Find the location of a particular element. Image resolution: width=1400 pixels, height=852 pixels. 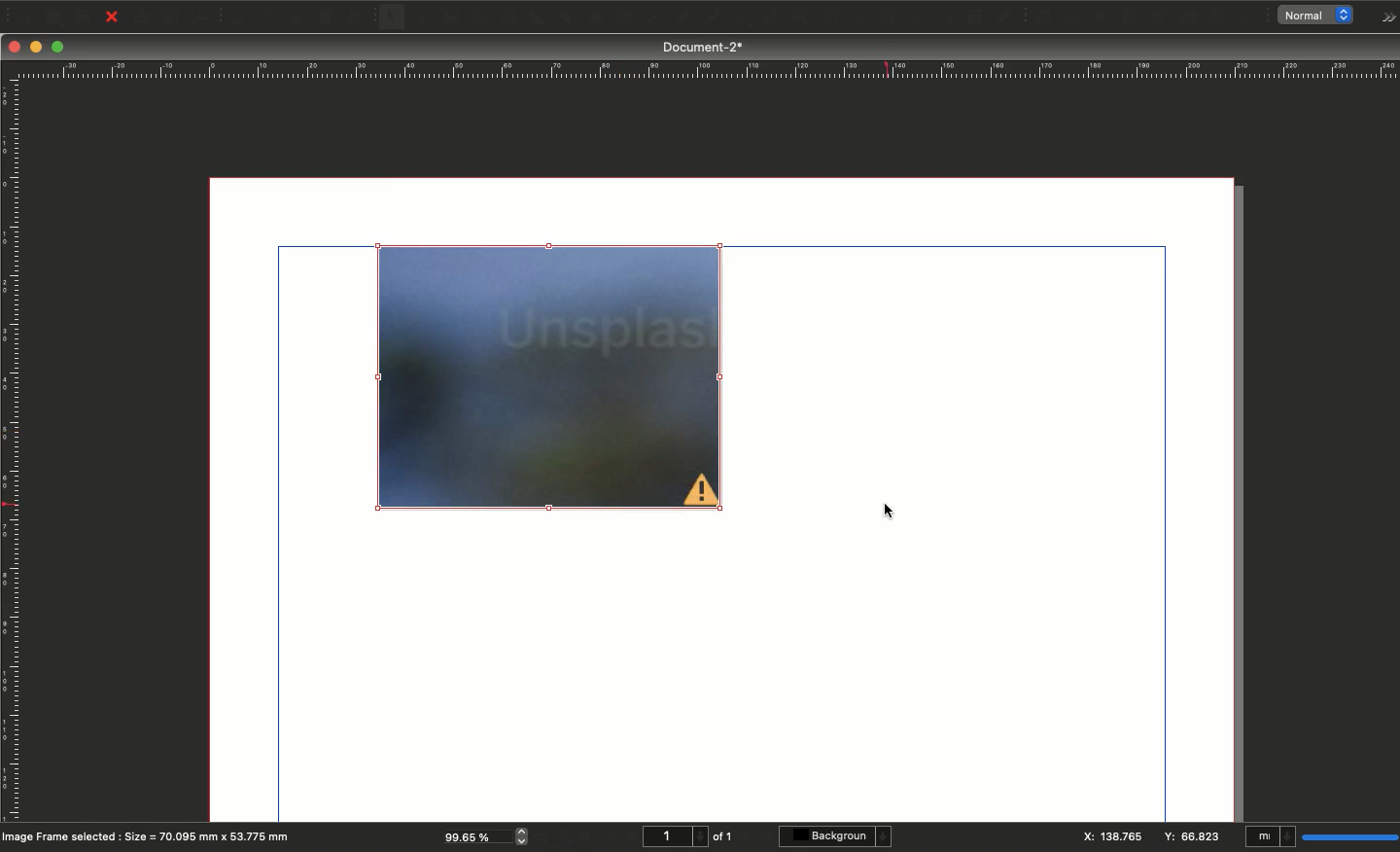

Document-2* is located at coordinates (705, 47).